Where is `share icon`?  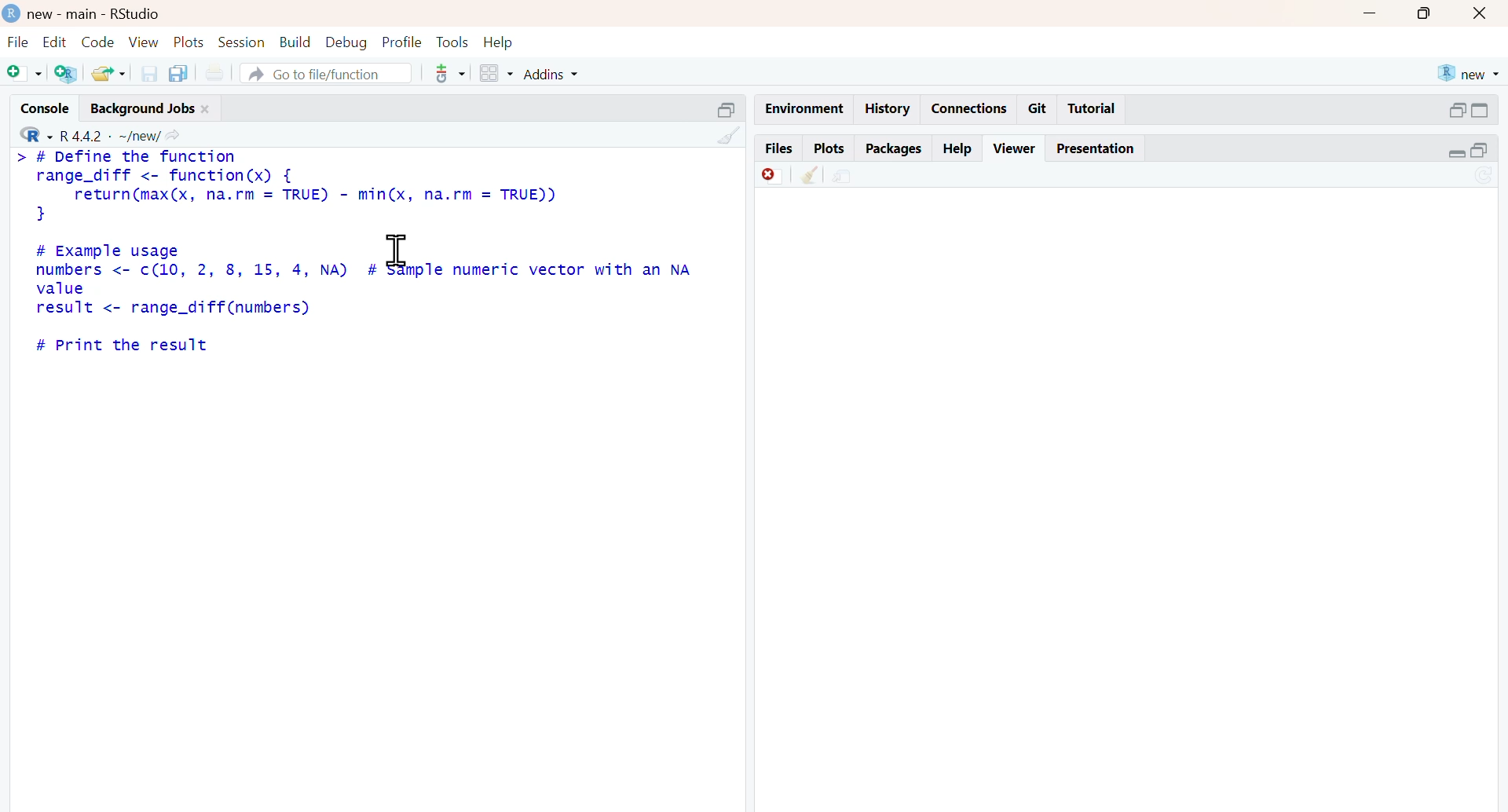 share icon is located at coordinates (172, 136).